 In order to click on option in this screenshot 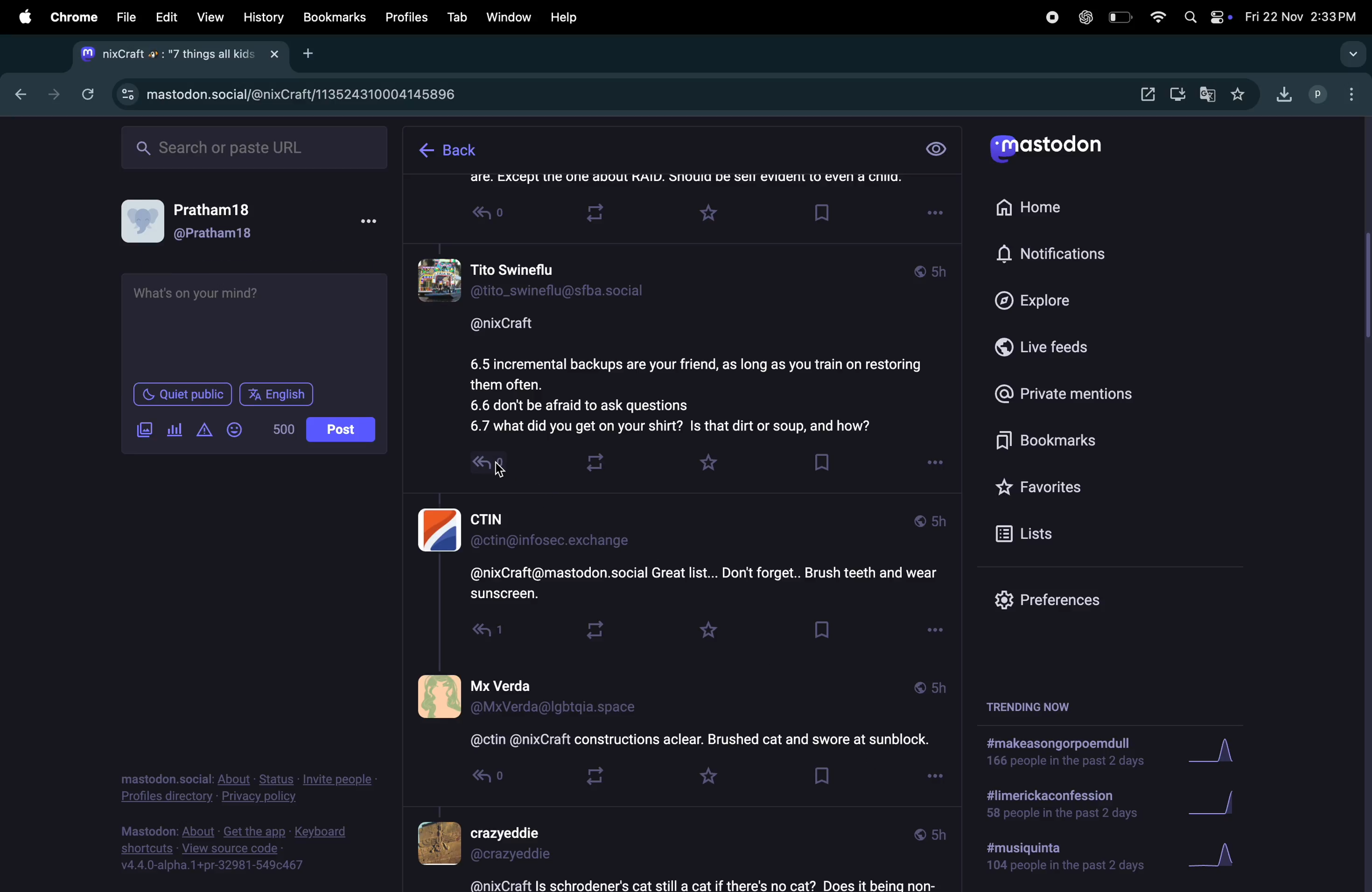, I will do `click(1349, 92)`.